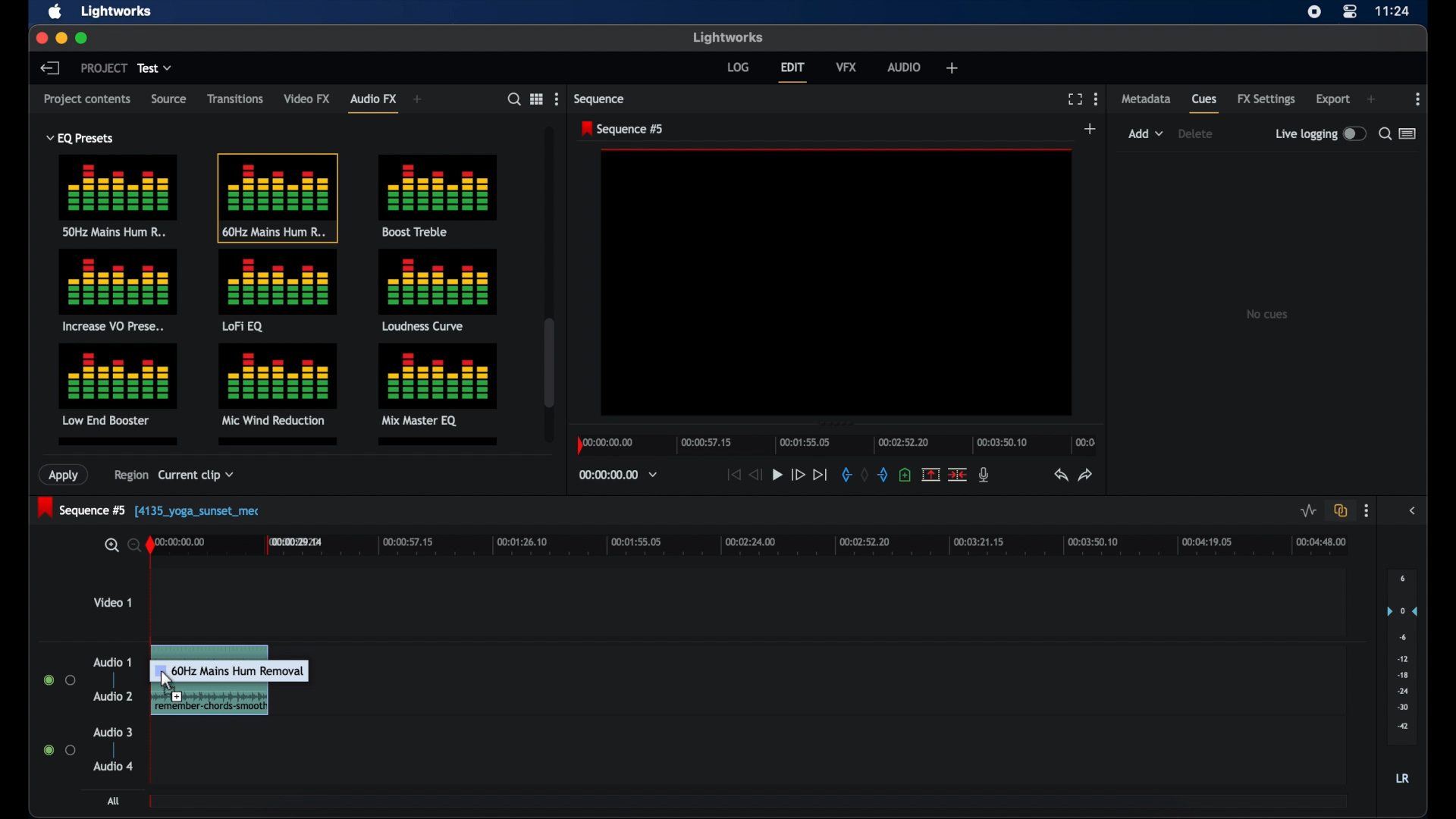 Image resolution: width=1456 pixels, height=819 pixels. I want to click on 60hz, so click(277, 197).